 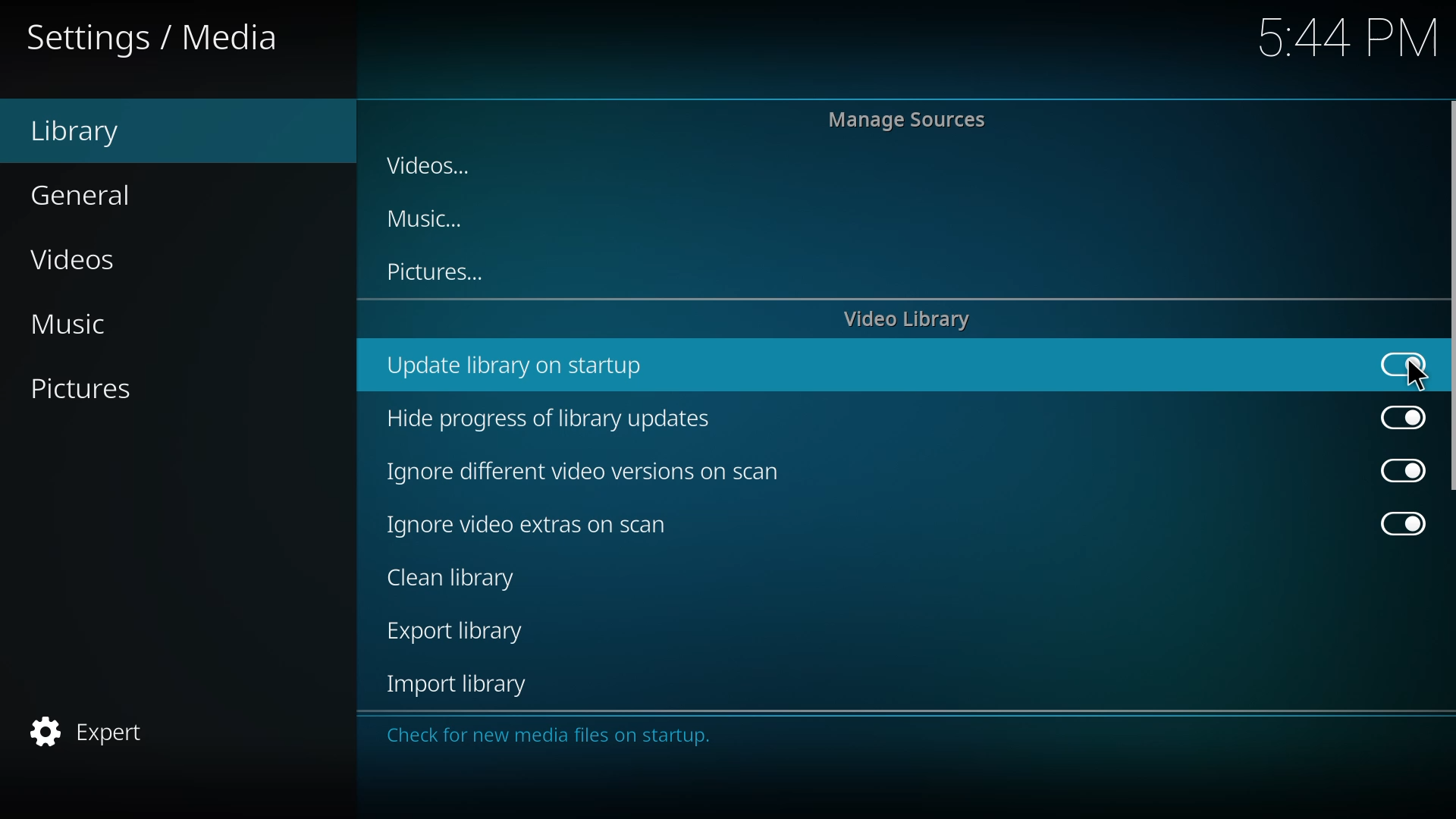 I want to click on Check for new media files on startup., so click(x=548, y=740).